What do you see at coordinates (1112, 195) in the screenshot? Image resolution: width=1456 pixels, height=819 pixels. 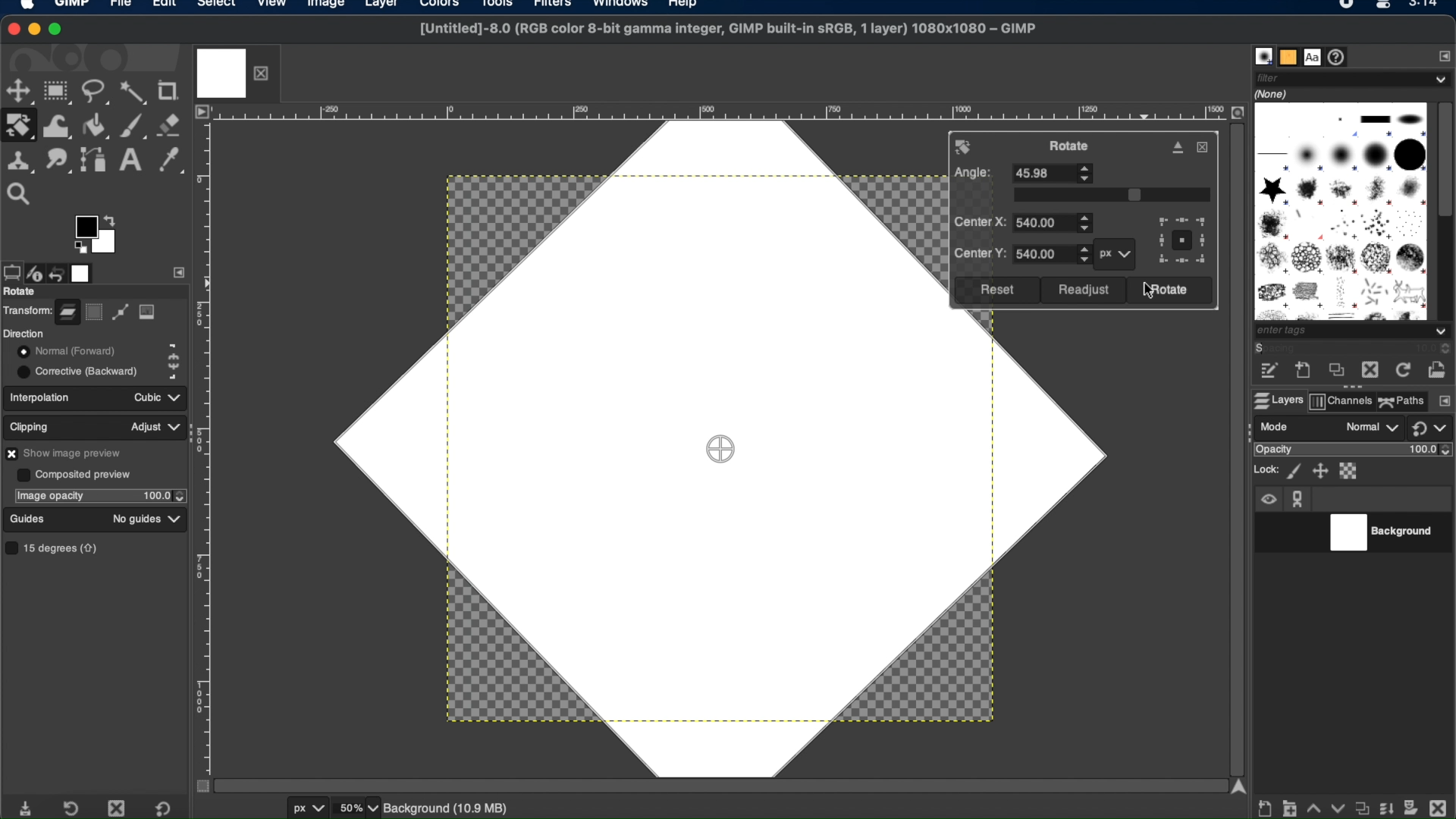 I see `slider` at bounding box center [1112, 195].